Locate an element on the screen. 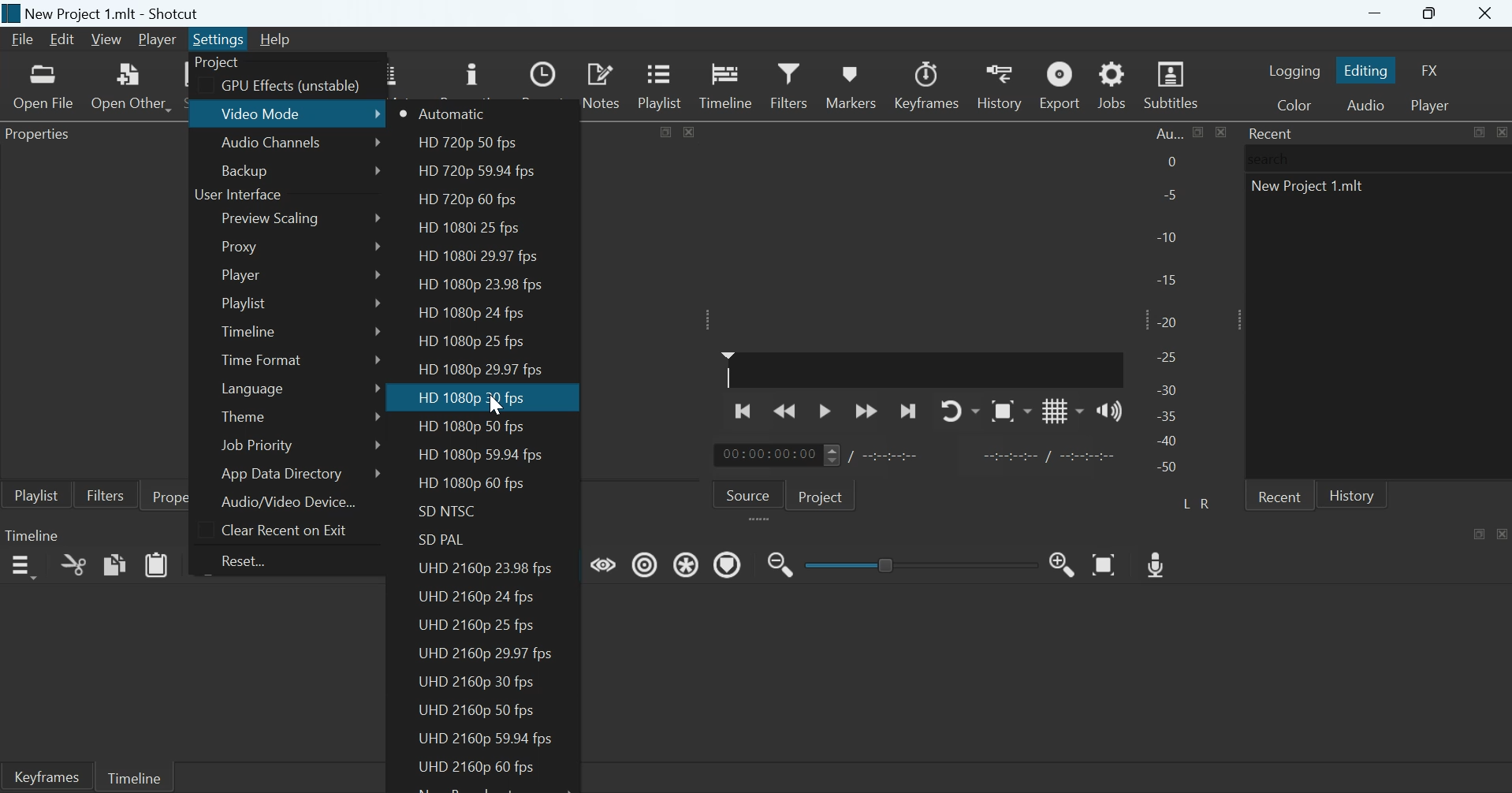  HD 1080p 24fps is located at coordinates (470, 313).